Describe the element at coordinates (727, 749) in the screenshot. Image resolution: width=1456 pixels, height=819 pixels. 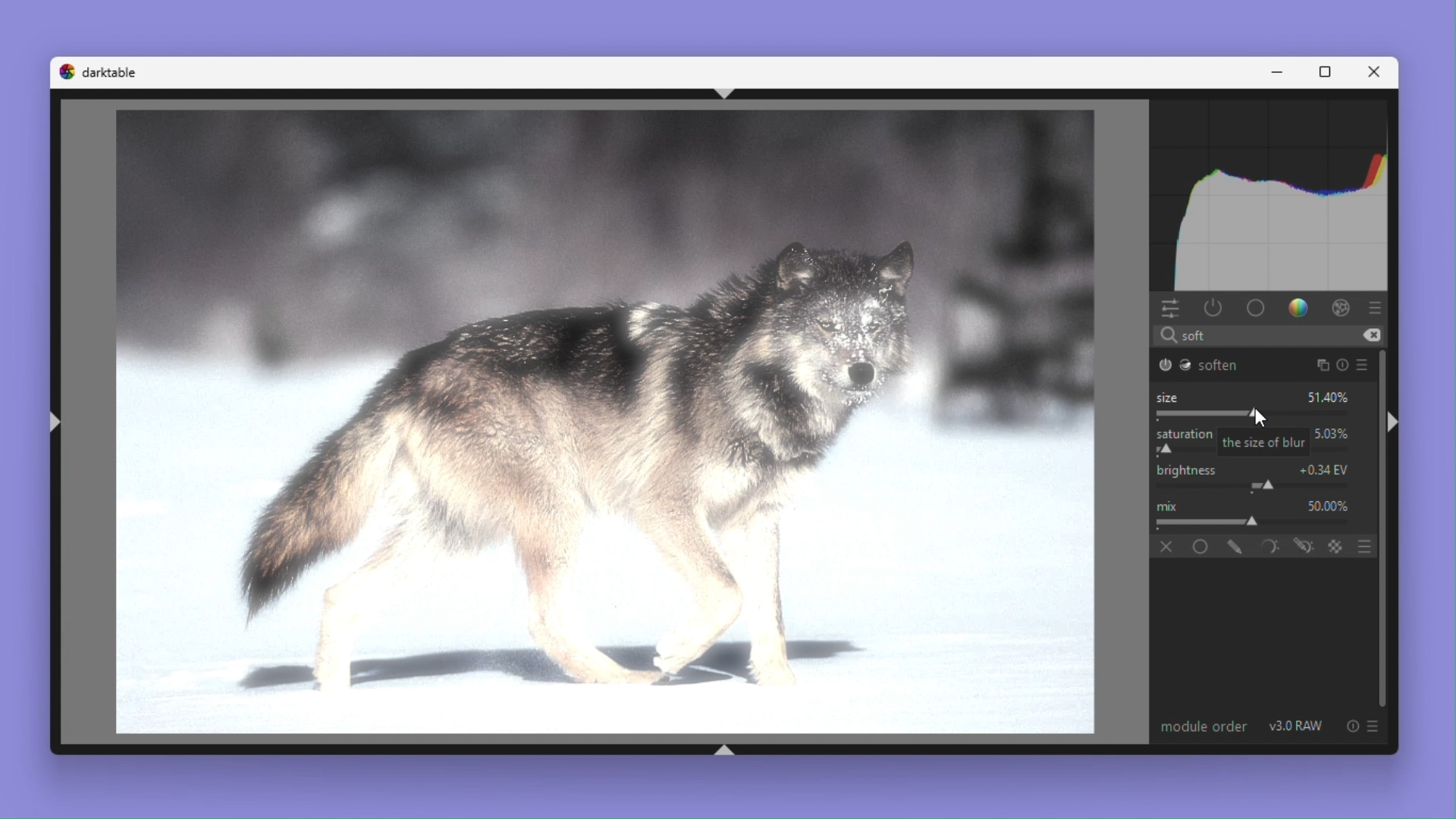
I see `shift+ctrl+b` at that location.